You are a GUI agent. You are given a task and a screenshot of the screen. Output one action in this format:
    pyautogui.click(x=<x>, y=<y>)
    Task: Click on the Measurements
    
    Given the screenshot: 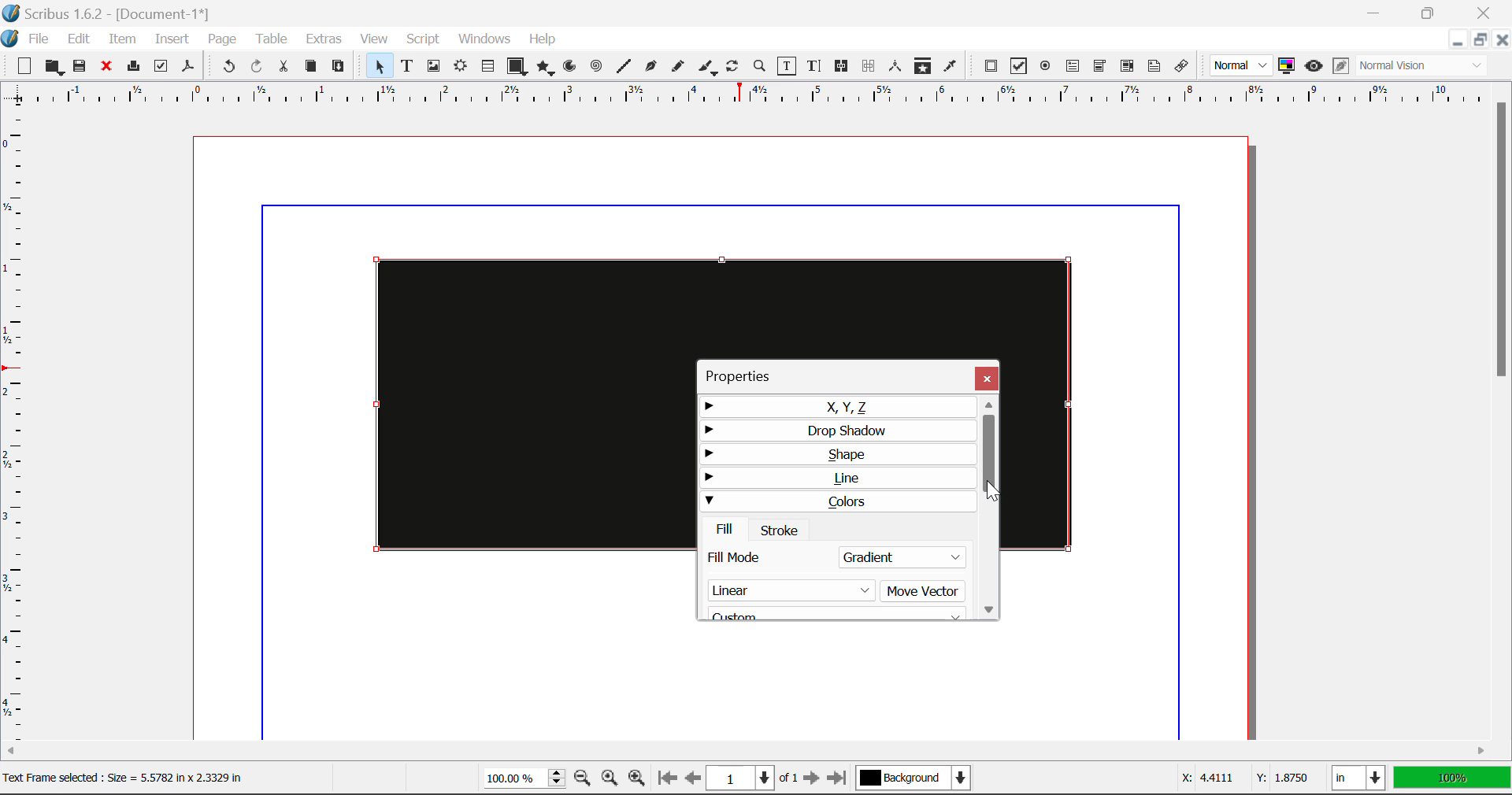 What is the action you would take?
    pyautogui.click(x=896, y=66)
    